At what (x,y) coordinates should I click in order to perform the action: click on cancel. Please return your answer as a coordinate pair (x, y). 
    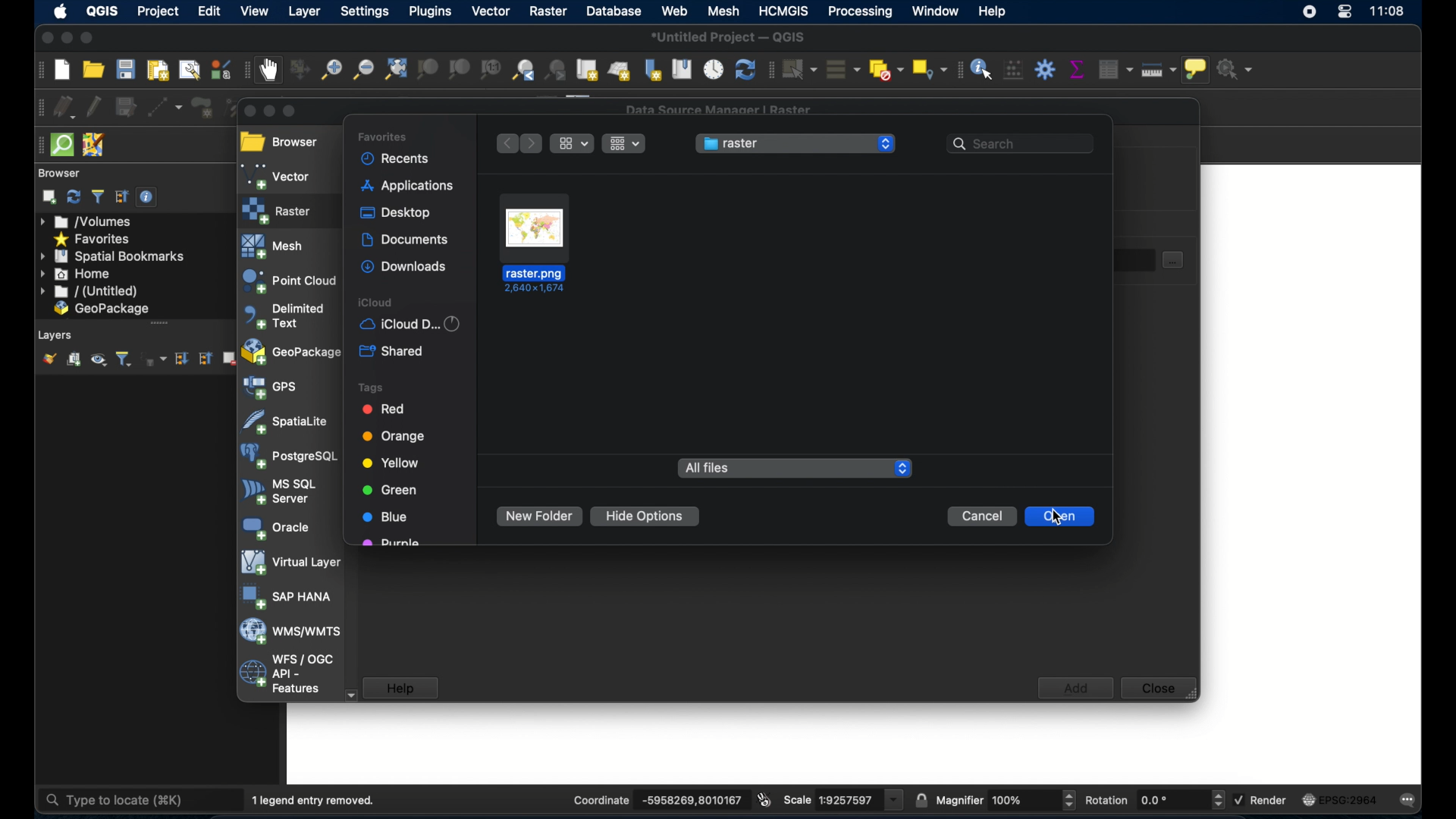
    Looking at the image, I should click on (981, 516).